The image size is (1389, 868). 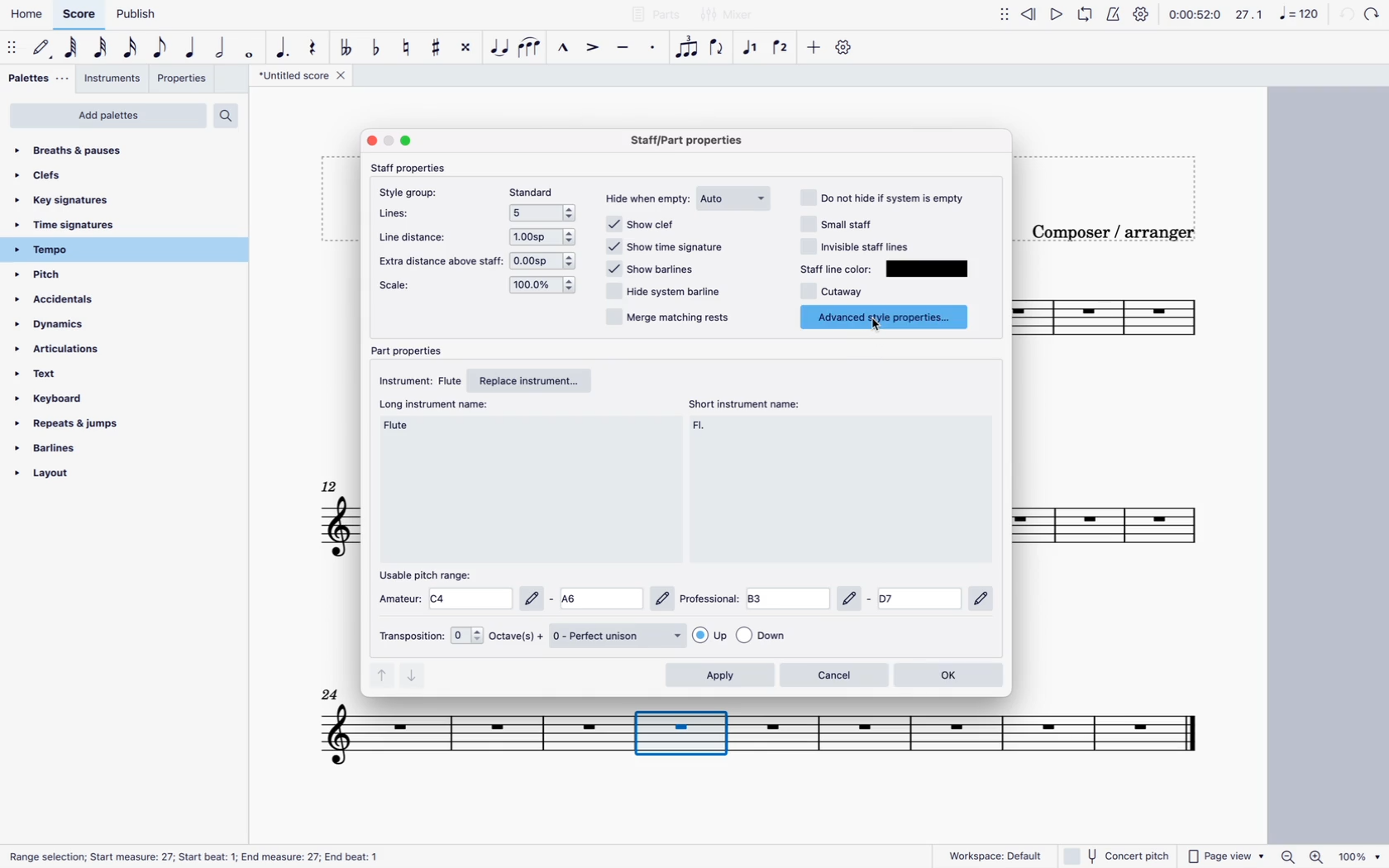 What do you see at coordinates (250, 48) in the screenshot?
I see `full note` at bounding box center [250, 48].